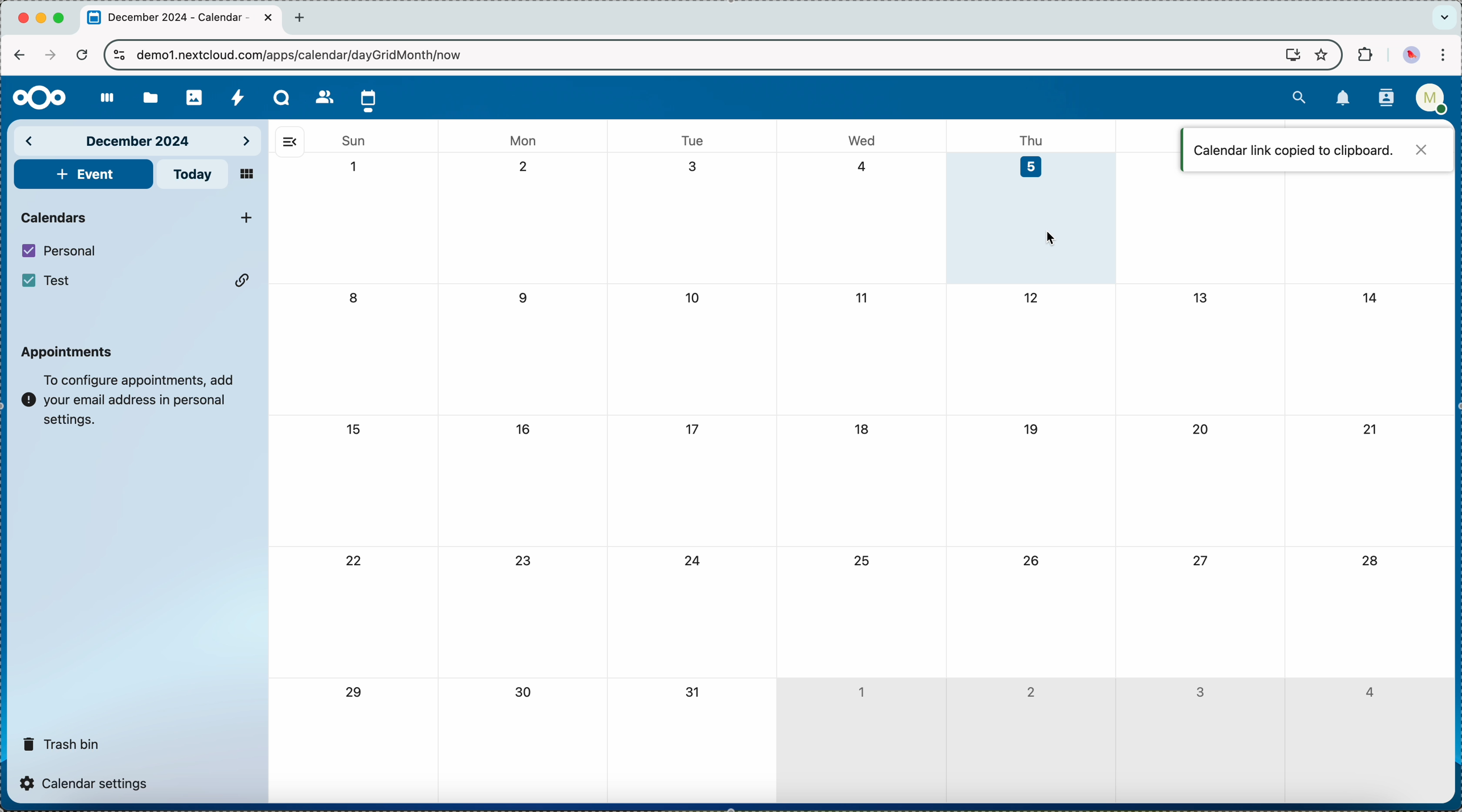 The height and width of the screenshot is (812, 1462). I want to click on minimize, so click(43, 19).